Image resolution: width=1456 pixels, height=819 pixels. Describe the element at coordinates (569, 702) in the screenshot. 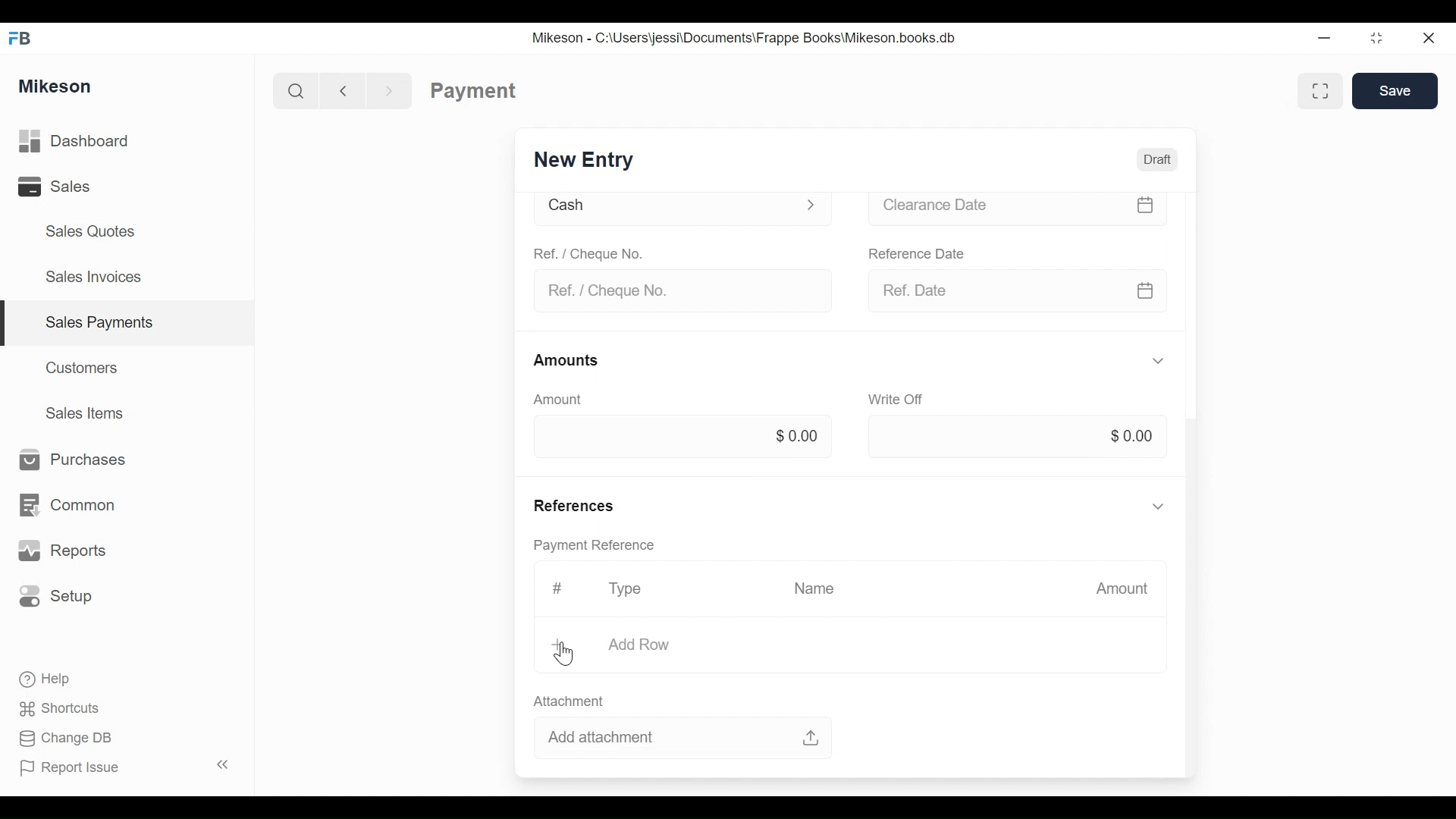

I see `Attachment` at that location.